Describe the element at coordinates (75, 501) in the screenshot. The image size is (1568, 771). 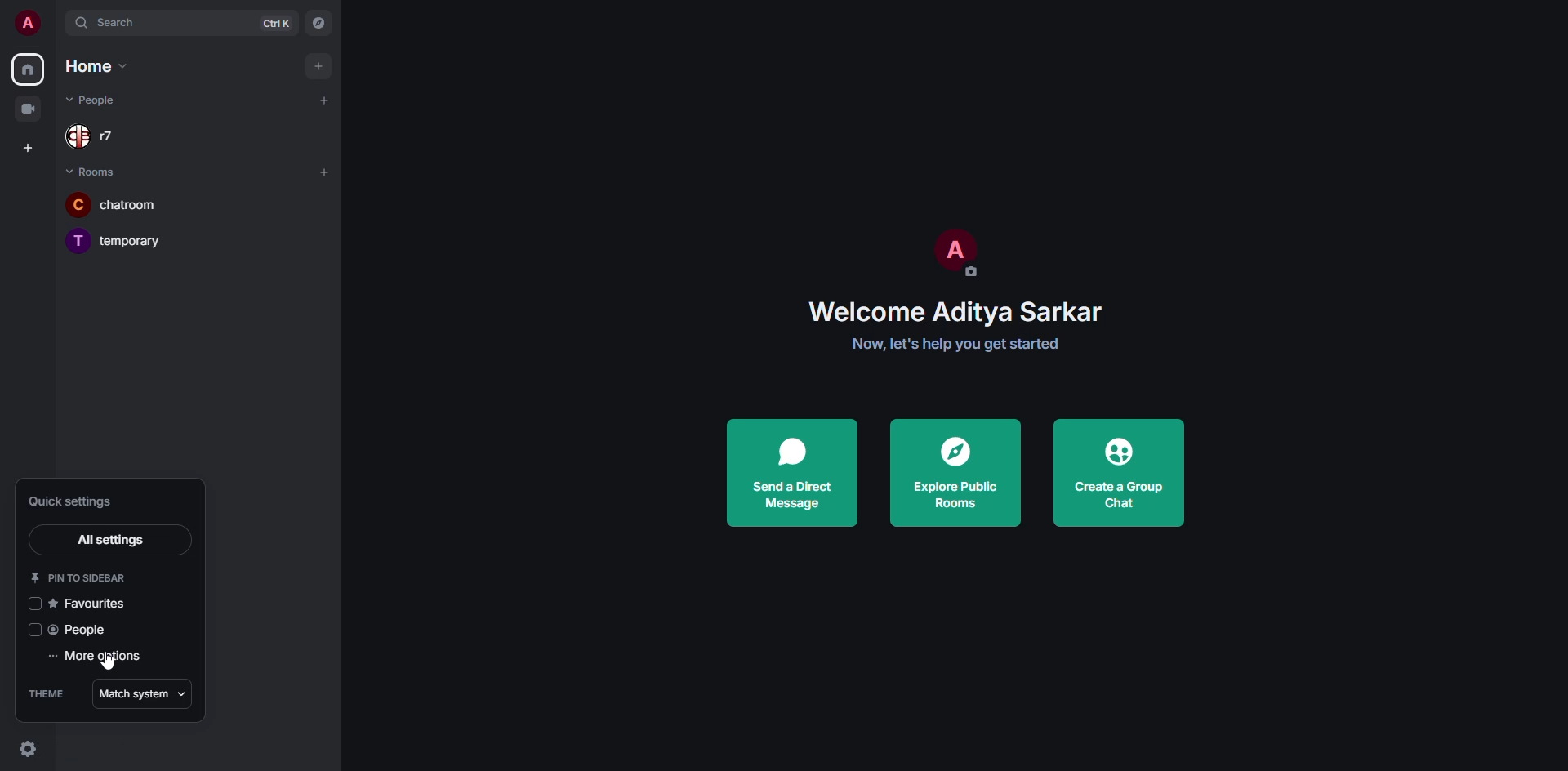
I see `quick settings` at that location.